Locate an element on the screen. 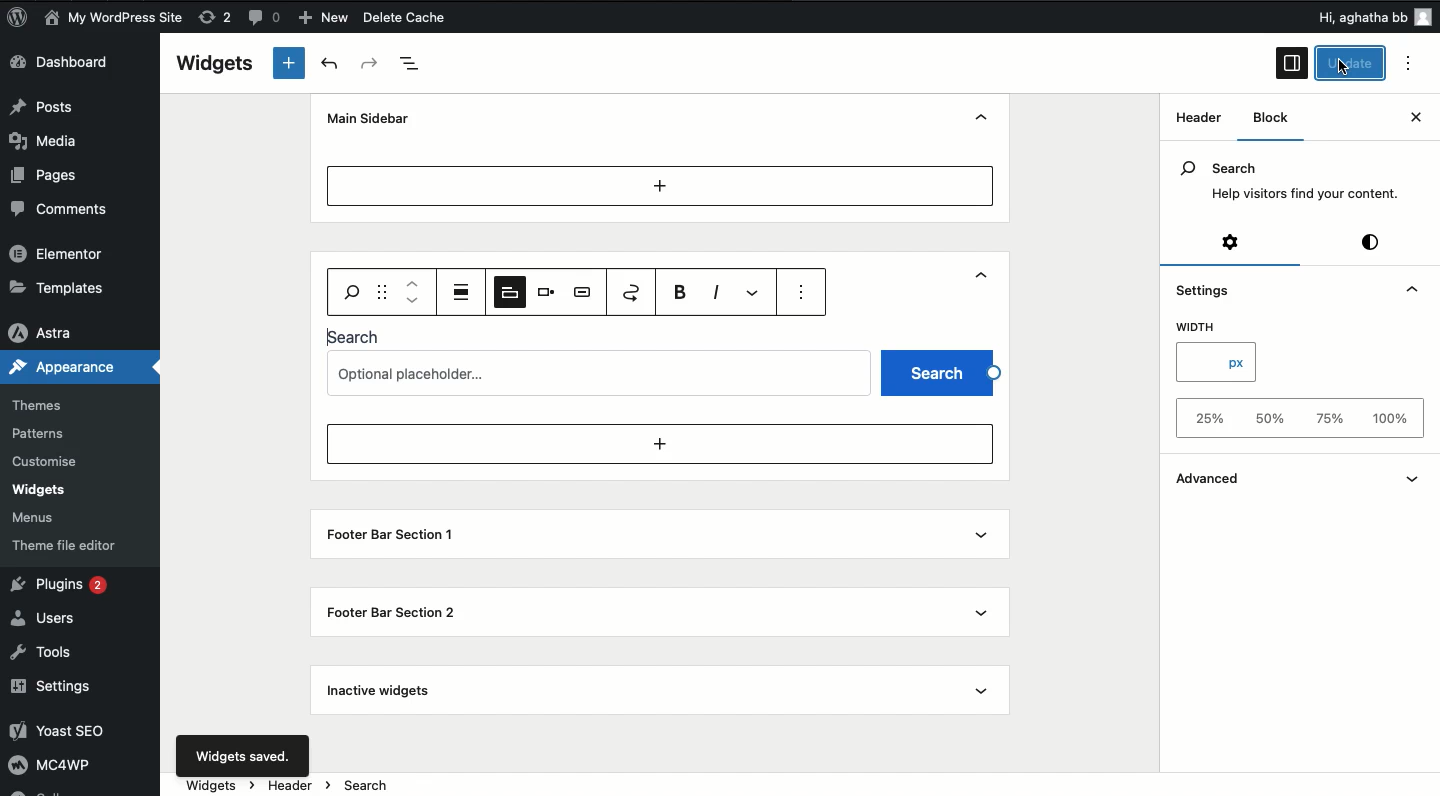  Add new block is located at coordinates (288, 64).